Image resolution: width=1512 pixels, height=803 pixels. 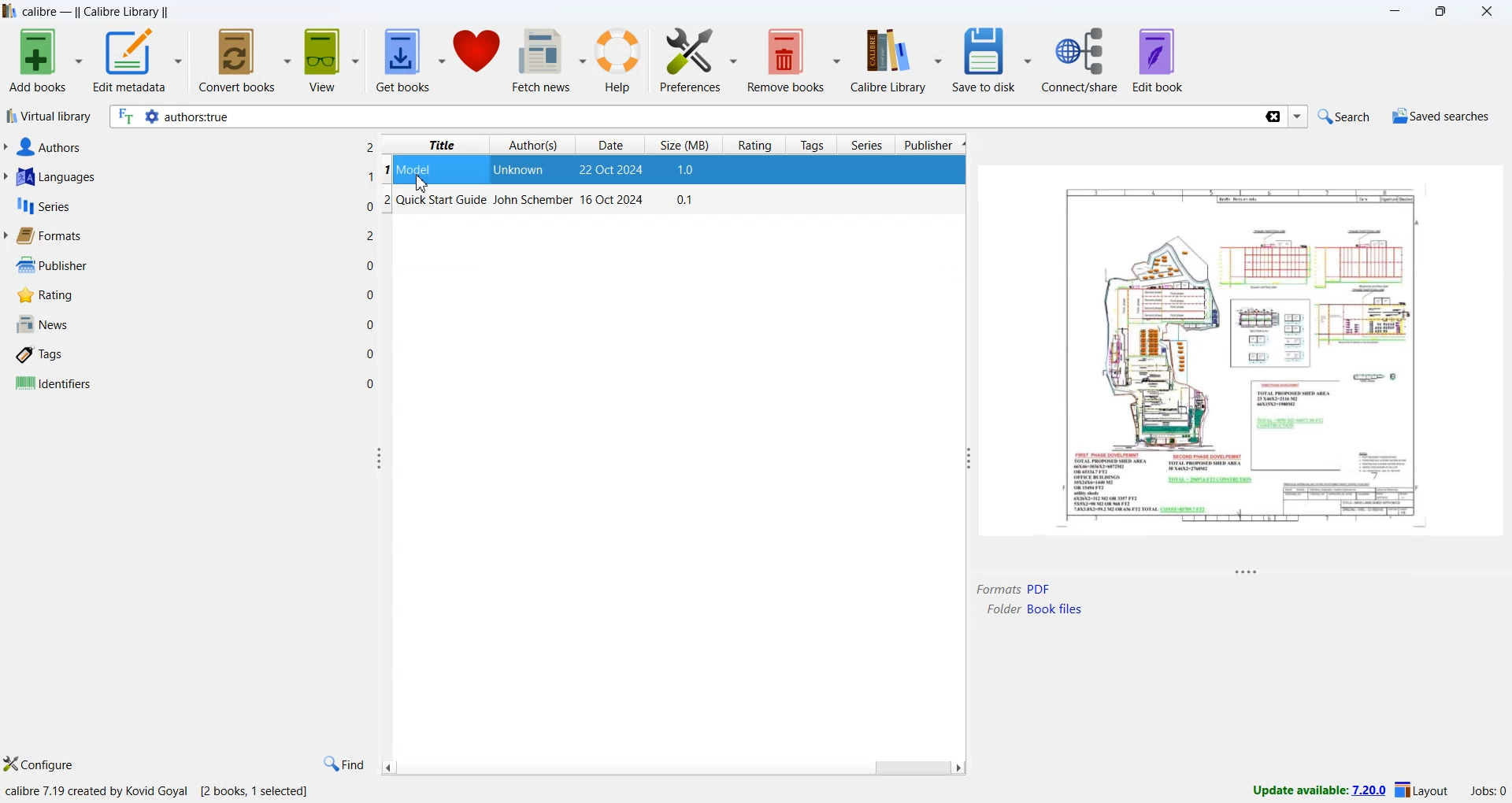 I want to click on authors, so click(x=46, y=147).